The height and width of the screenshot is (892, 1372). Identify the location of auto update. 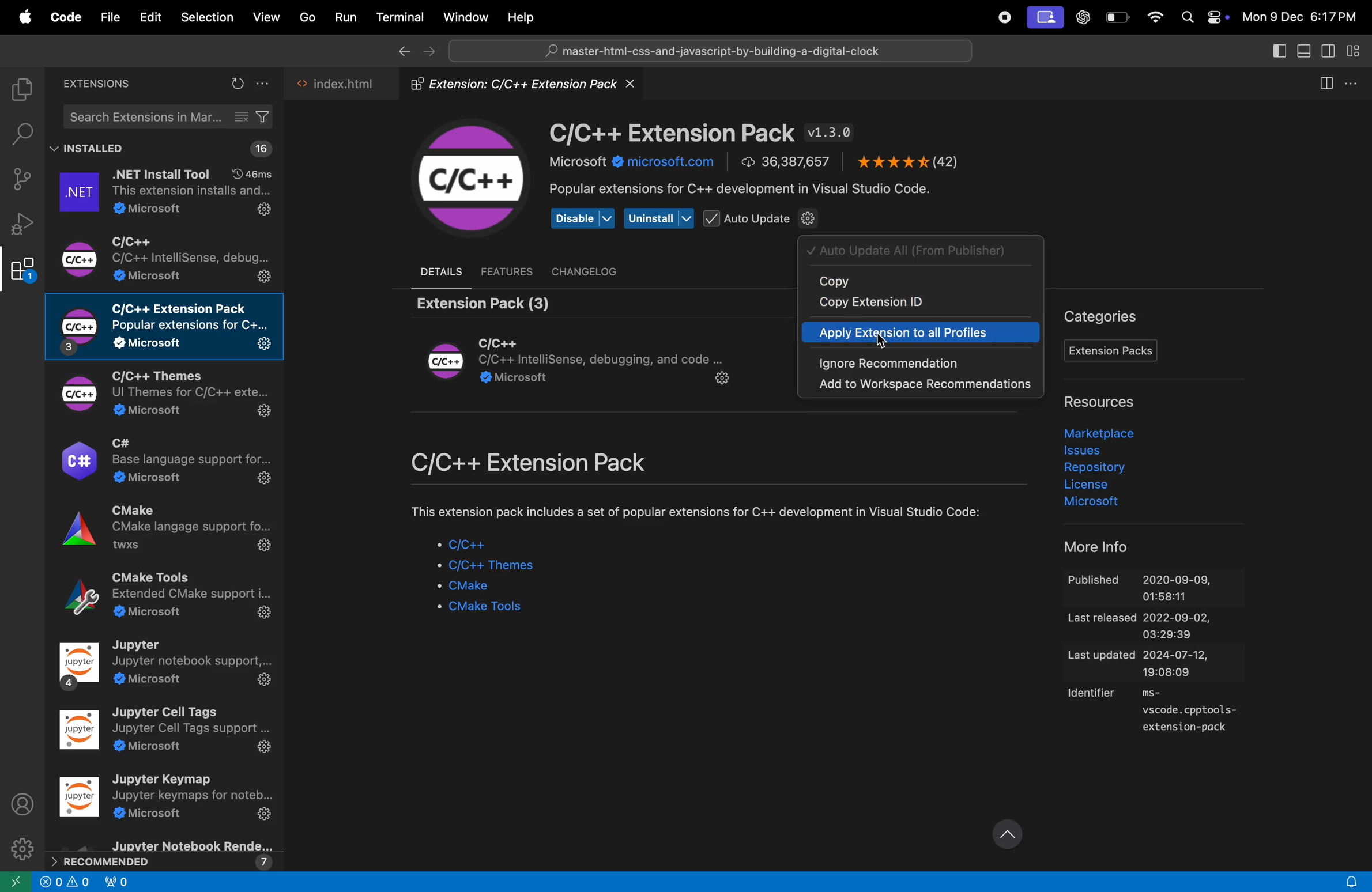
(921, 251).